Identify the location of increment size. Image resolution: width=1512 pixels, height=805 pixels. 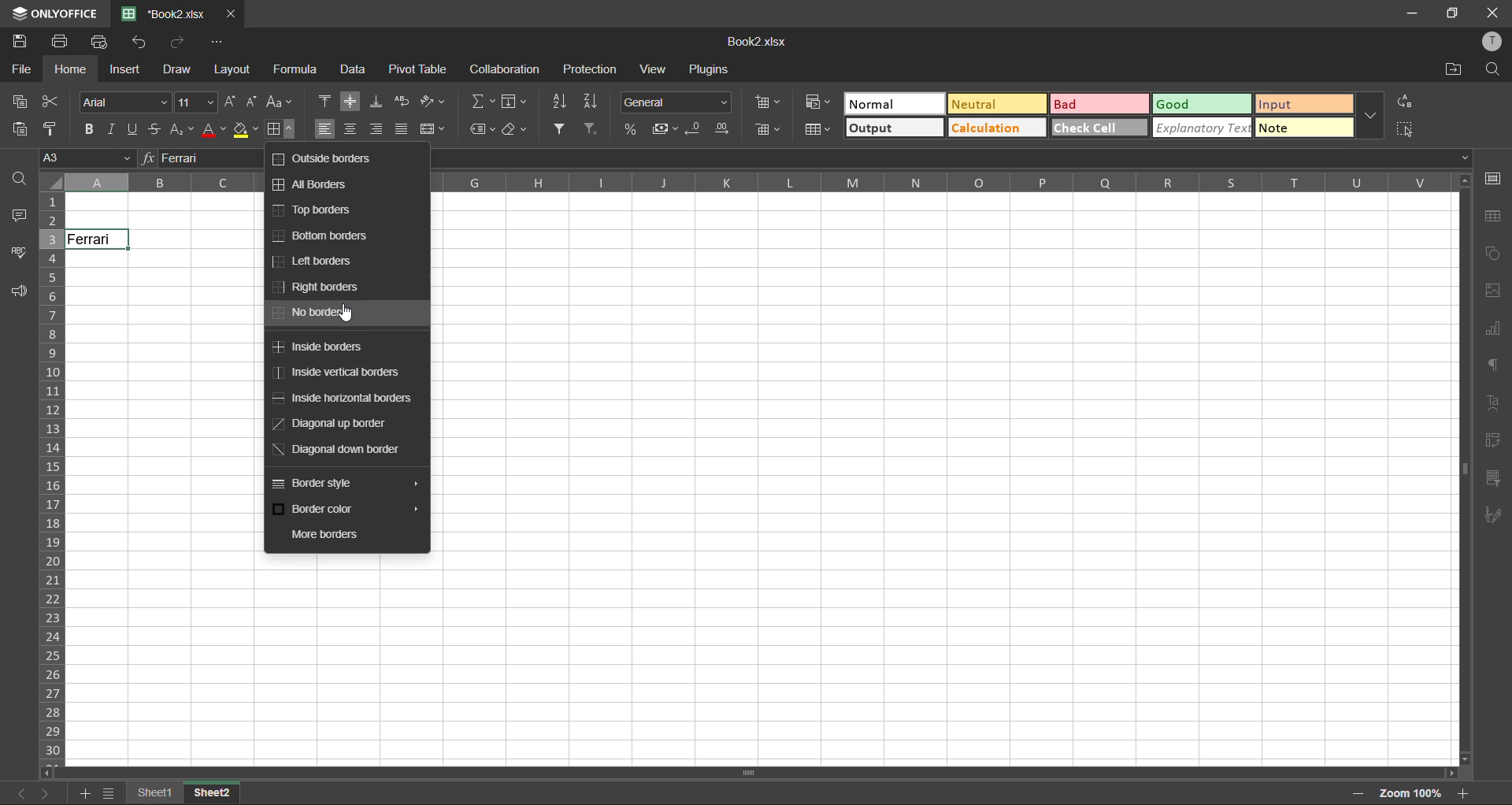
(232, 101).